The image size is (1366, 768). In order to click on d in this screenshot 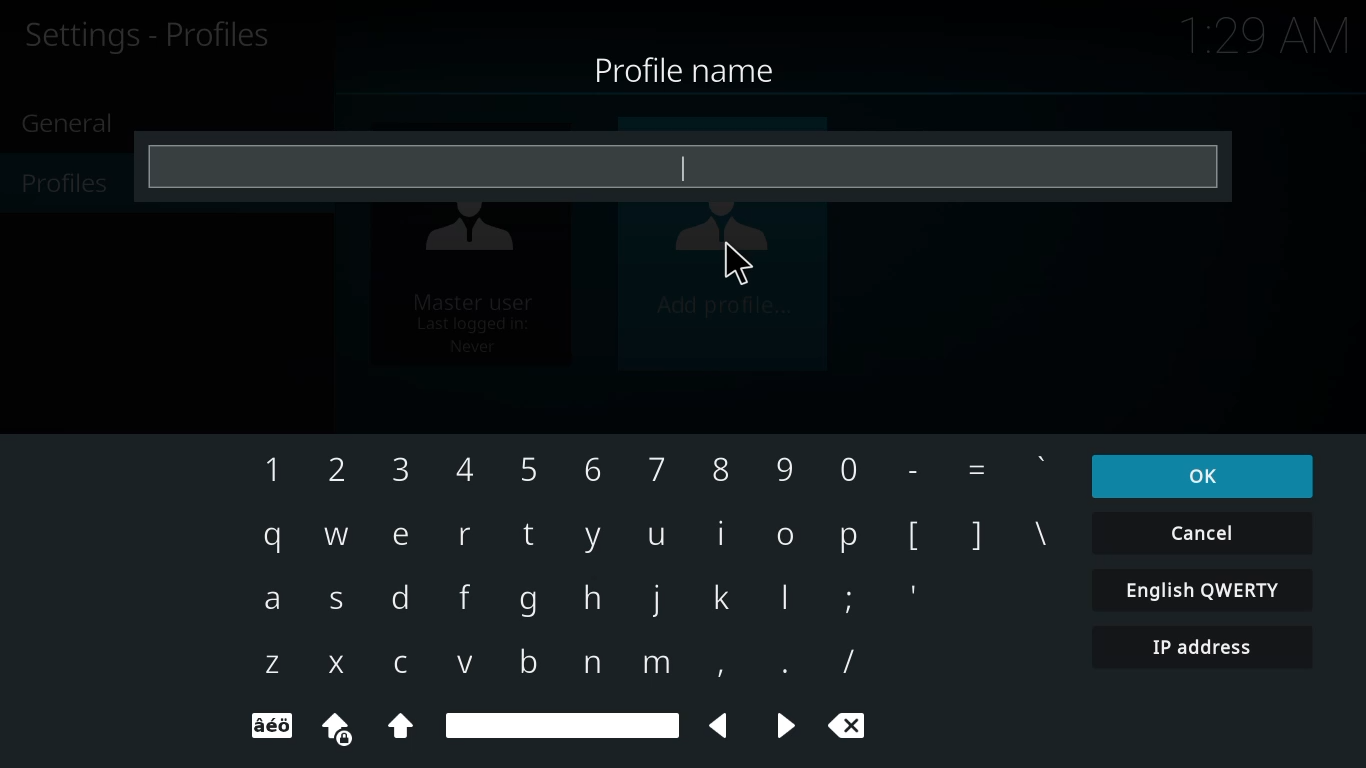, I will do `click(405, 600)`.